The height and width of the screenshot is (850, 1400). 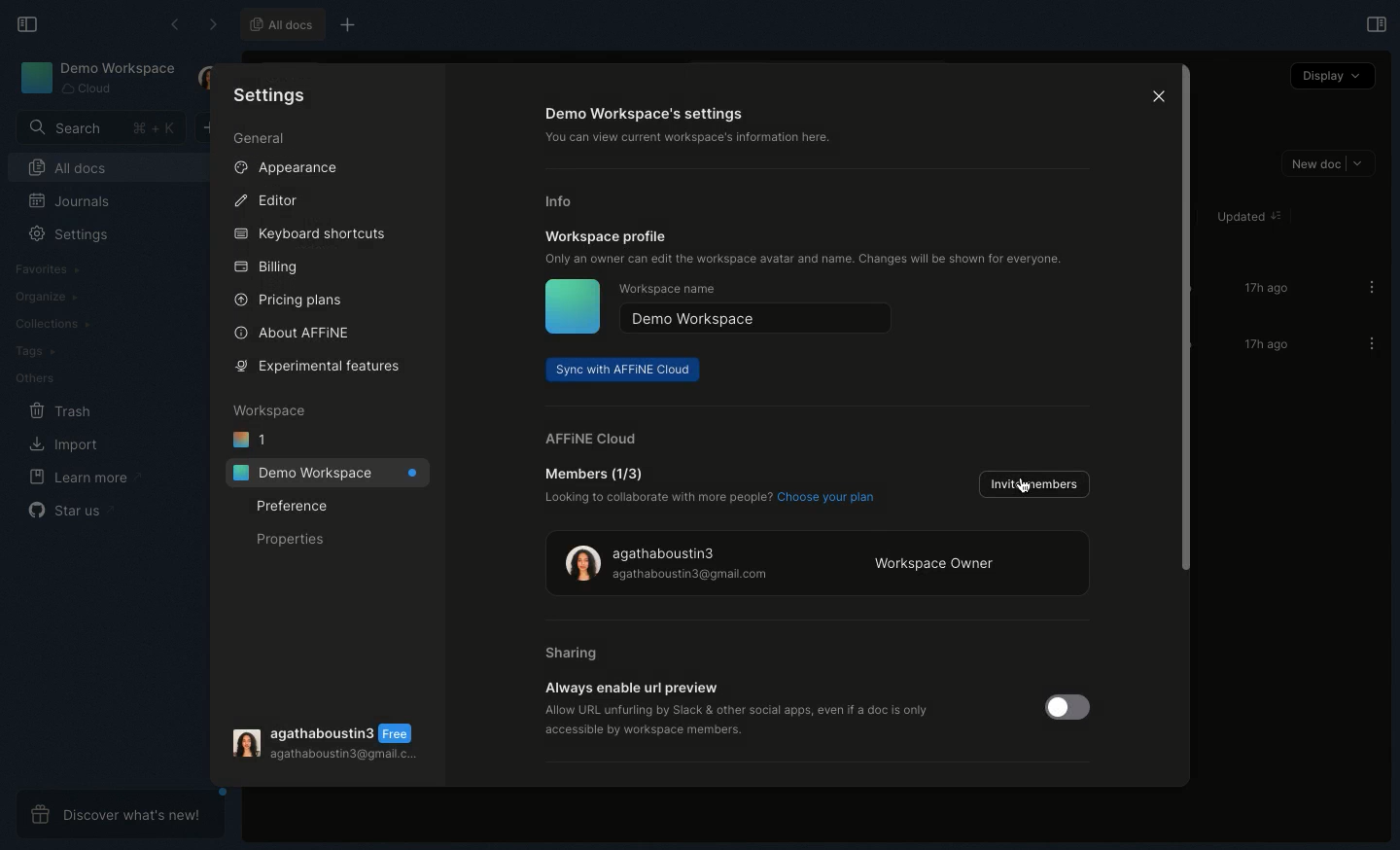 What do you see at coordinates (118, 812) in the screenshot?
I see `Discover what's new!` at bounding box center [118, 812].